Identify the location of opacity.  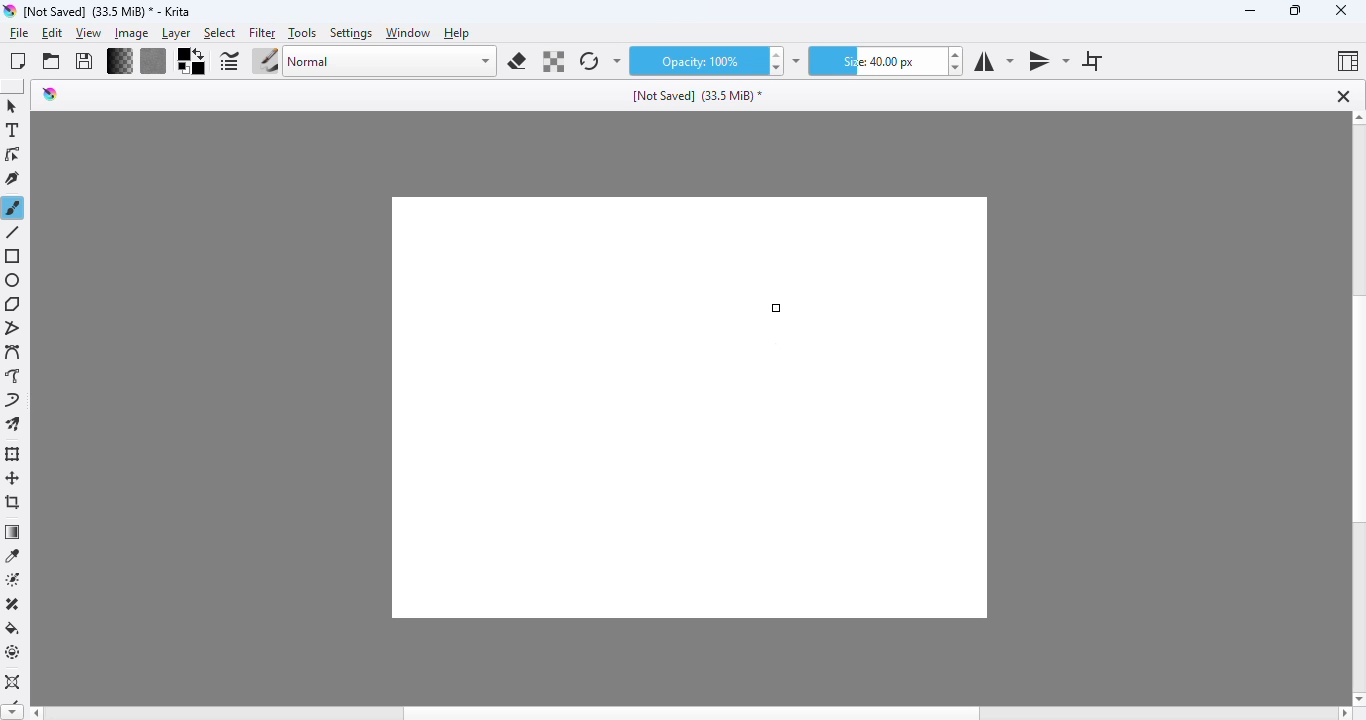
(698, 61).